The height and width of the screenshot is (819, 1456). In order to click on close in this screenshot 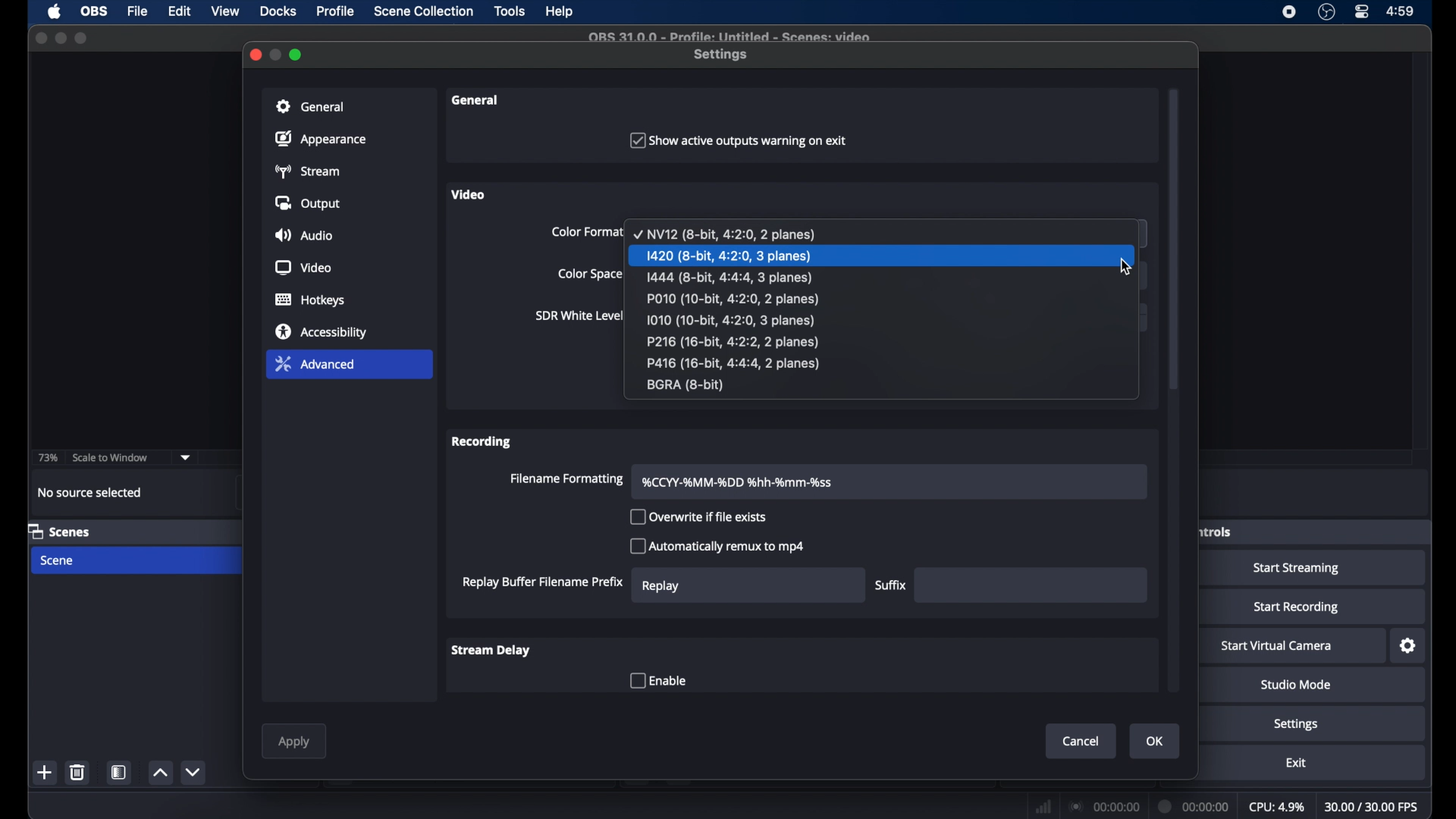, I will do `click(256, 55)`.